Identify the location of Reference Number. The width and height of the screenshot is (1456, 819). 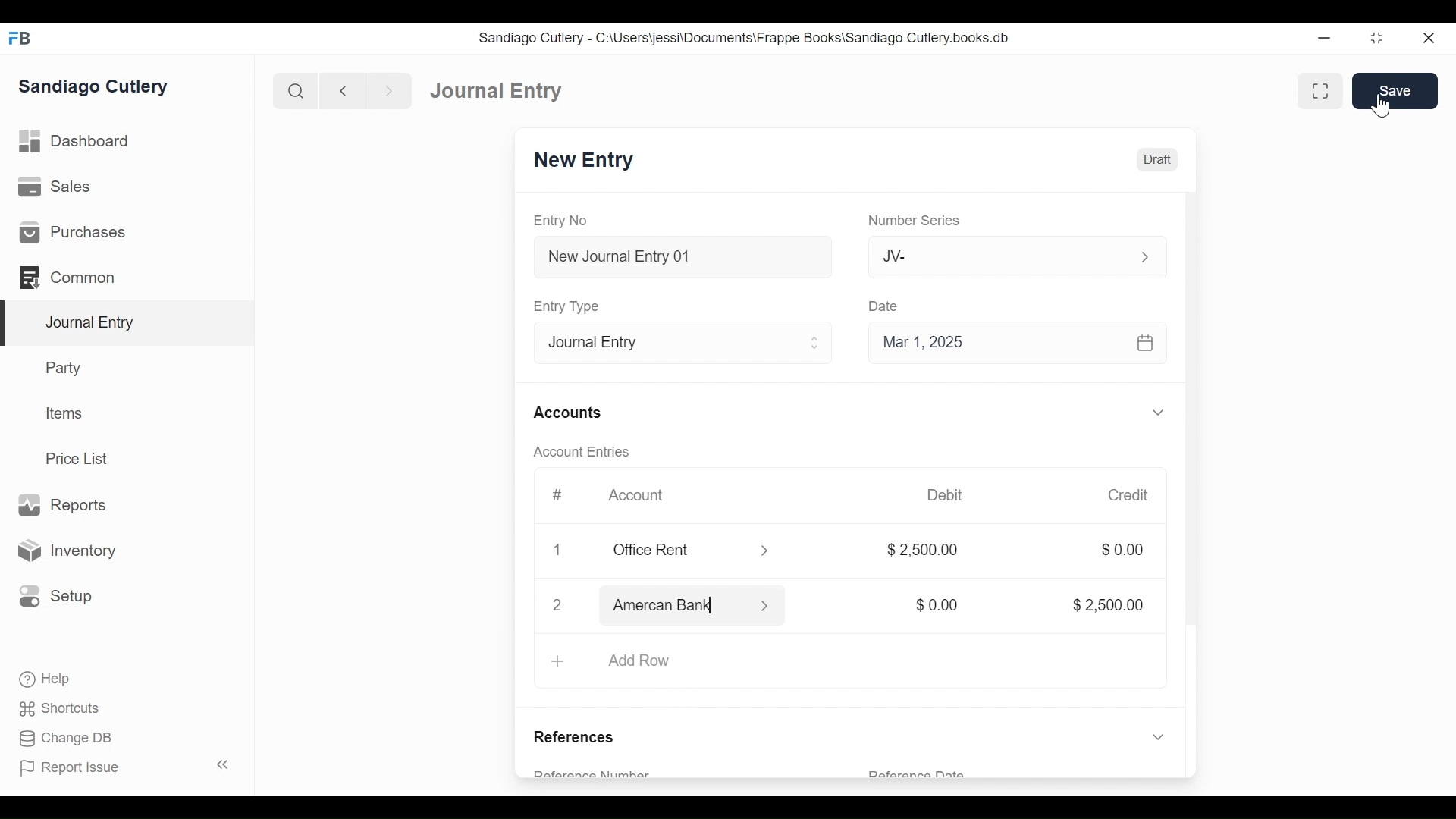
(613, 770).